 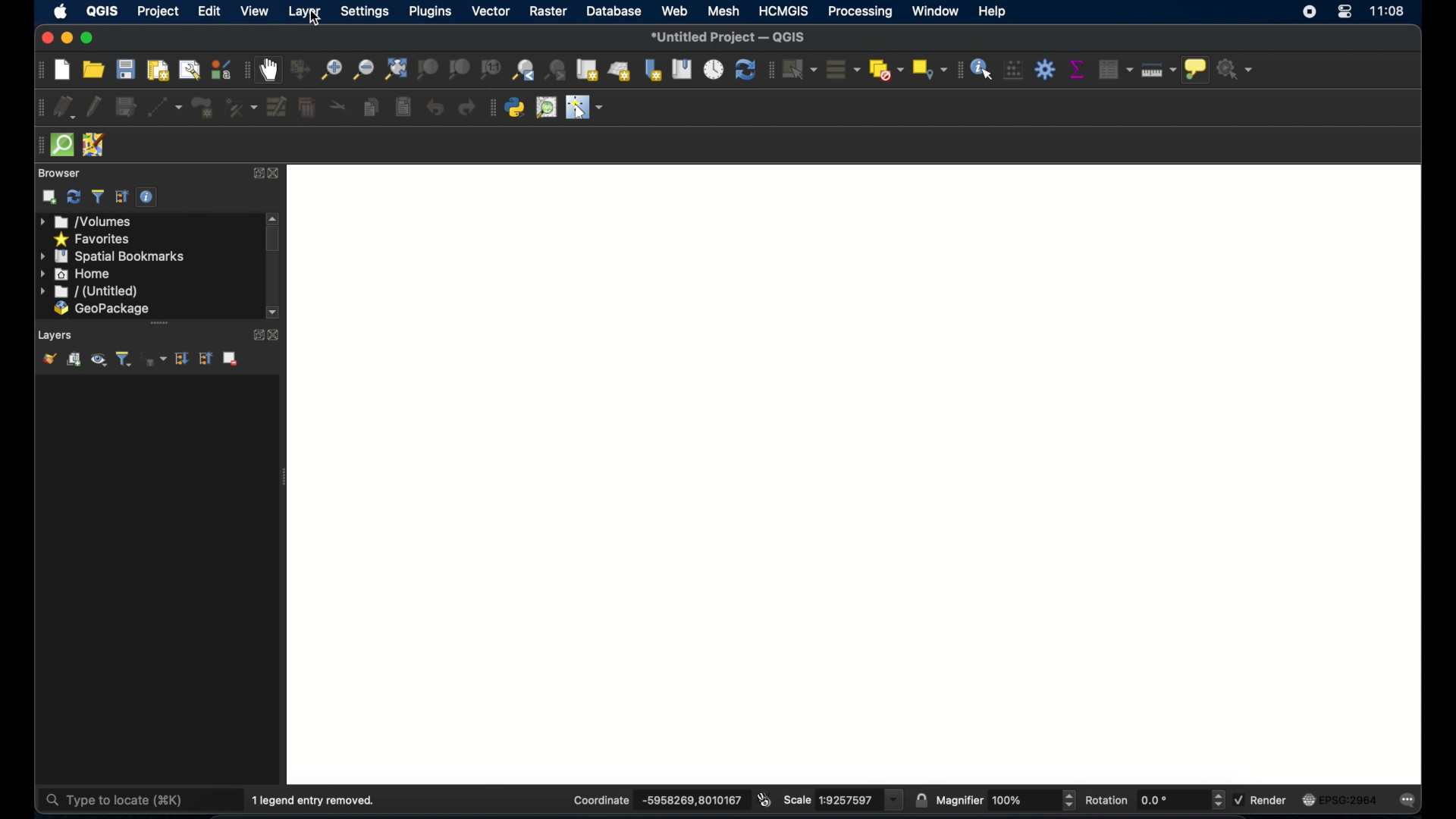 What do you see at coordinates (77, 274) in the screenshot?
I see `home` at bounding box center [77, 274].